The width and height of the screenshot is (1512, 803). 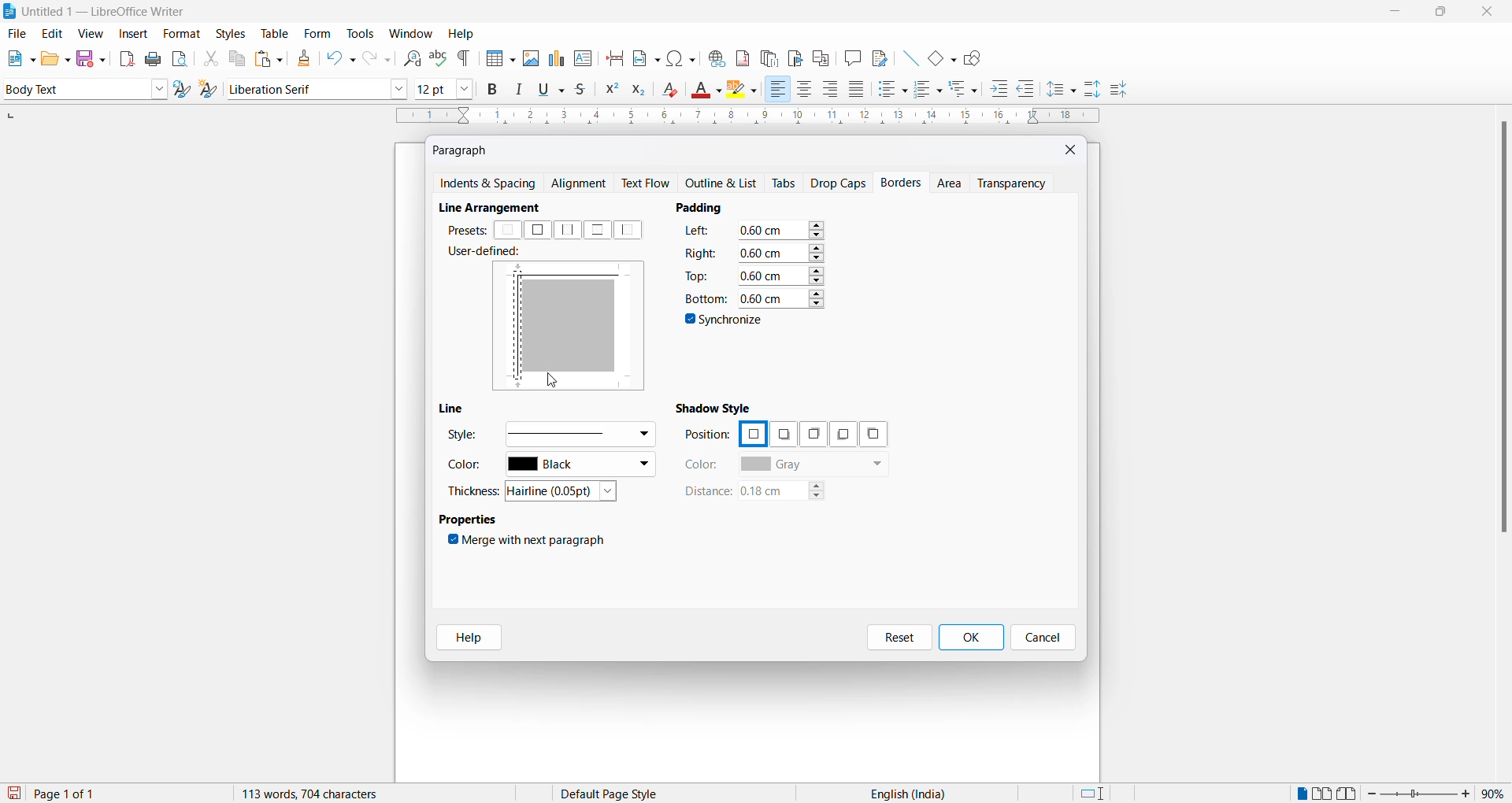 I want to click on zoom percentage, so click(x=1496, y=792).